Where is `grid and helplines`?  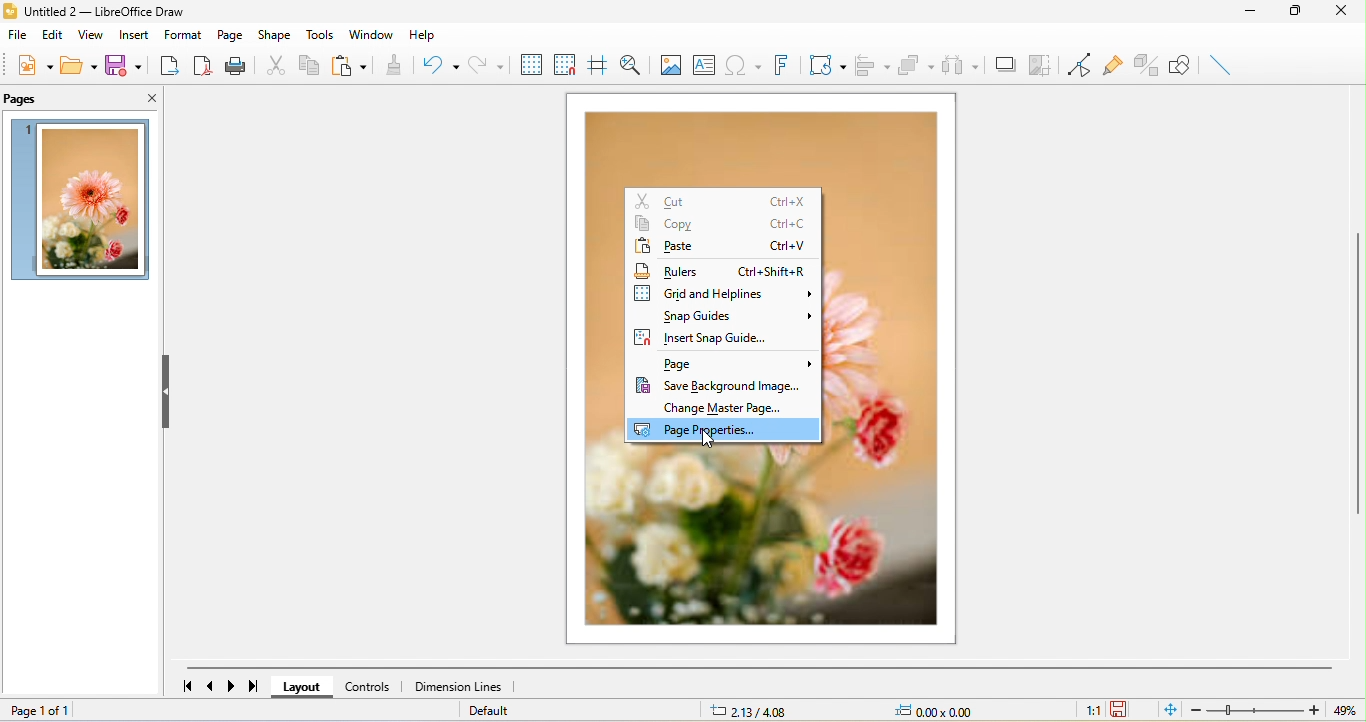
grid and helplines is located at coordinates (725, 292).